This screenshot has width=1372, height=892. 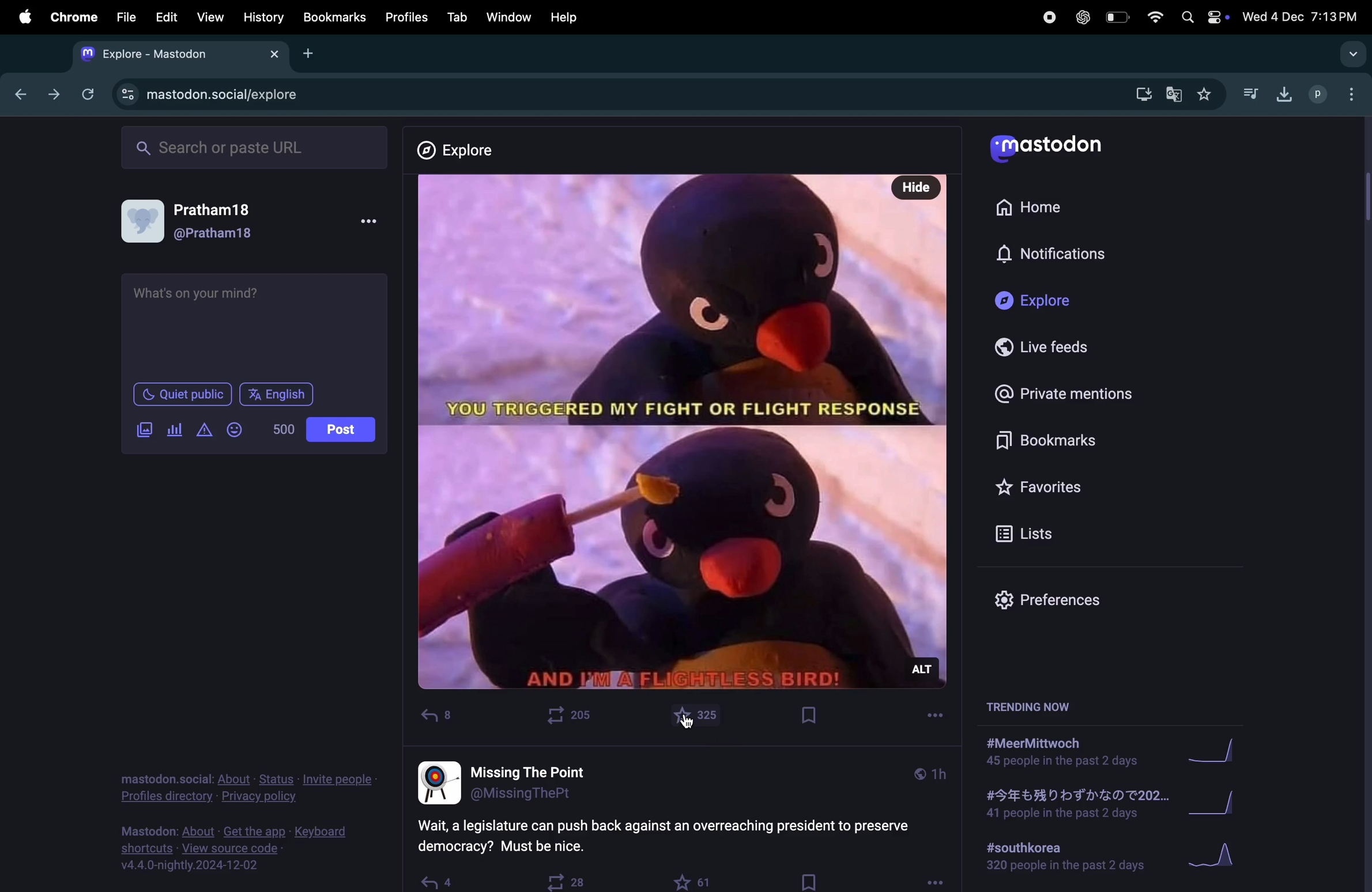 What do you see at coordinates (689, 879) in the screenshot?
I see `like` at bounding box center [689, 879].